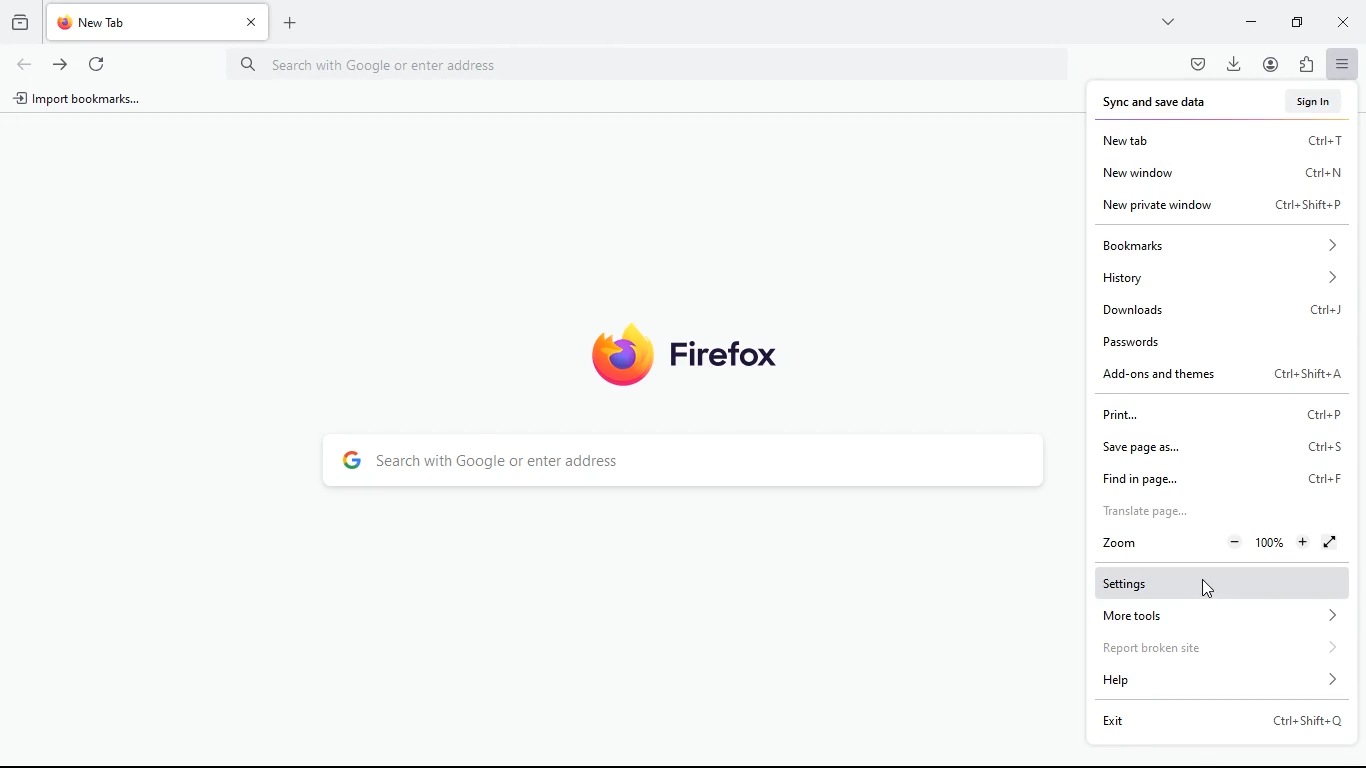 The image size is (1366, 768). What do you see at coordinates (1229, 583) in the screenshot?
I see `settings` at bounding box center [1229, 583].